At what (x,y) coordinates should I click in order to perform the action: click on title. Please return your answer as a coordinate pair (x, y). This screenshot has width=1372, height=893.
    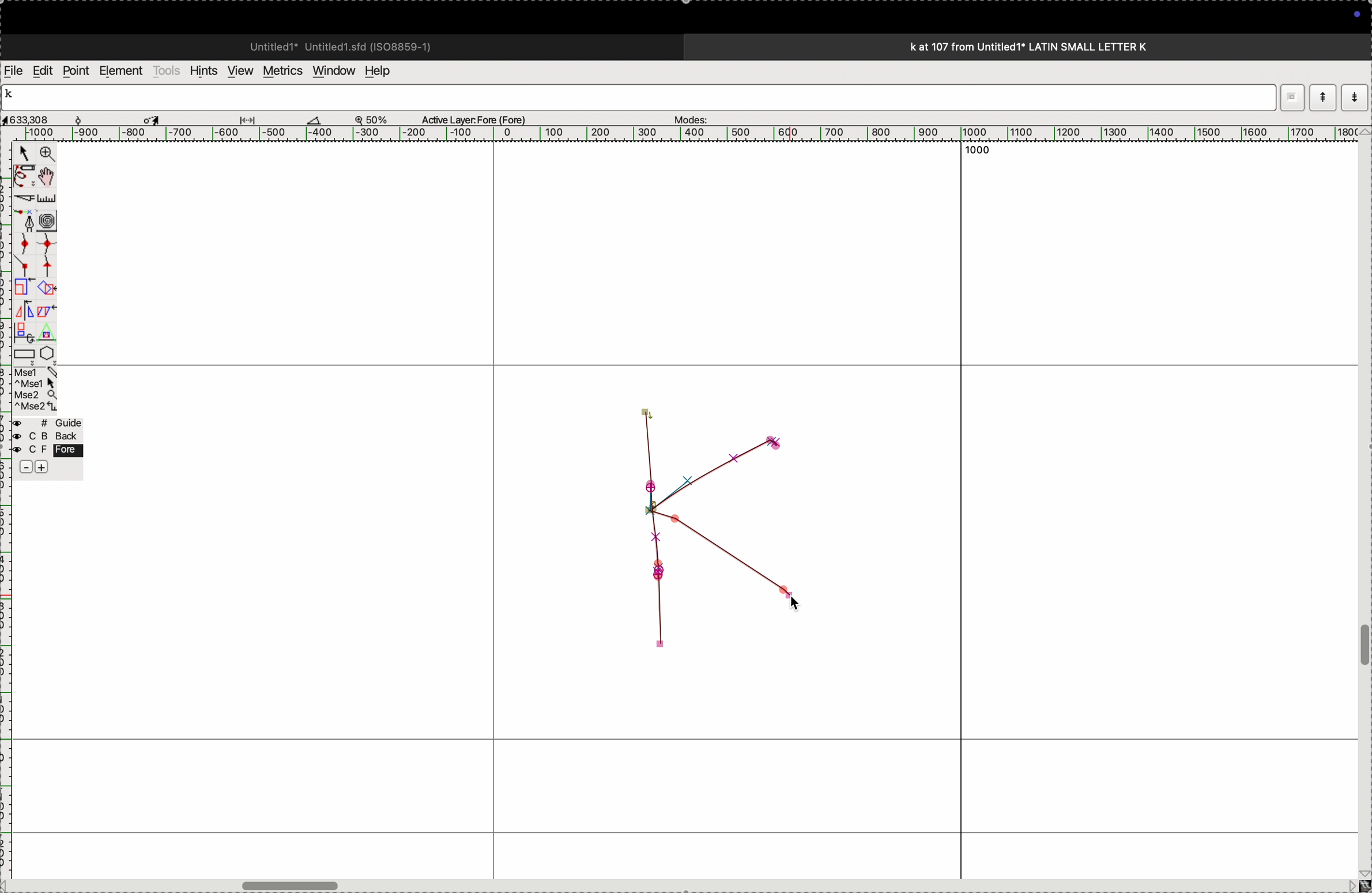
    Looking at the image, I should click on (1060, 46).